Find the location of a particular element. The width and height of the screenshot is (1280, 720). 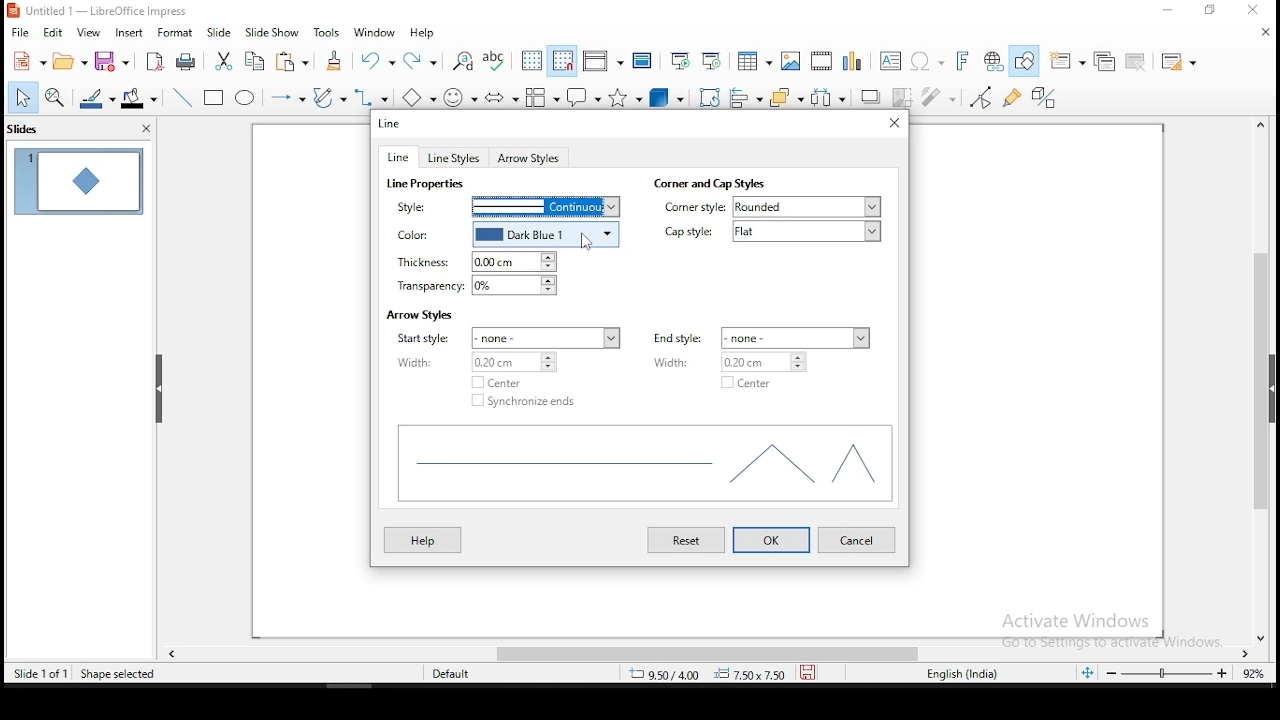

arrange is located at coordinates (783, 96).